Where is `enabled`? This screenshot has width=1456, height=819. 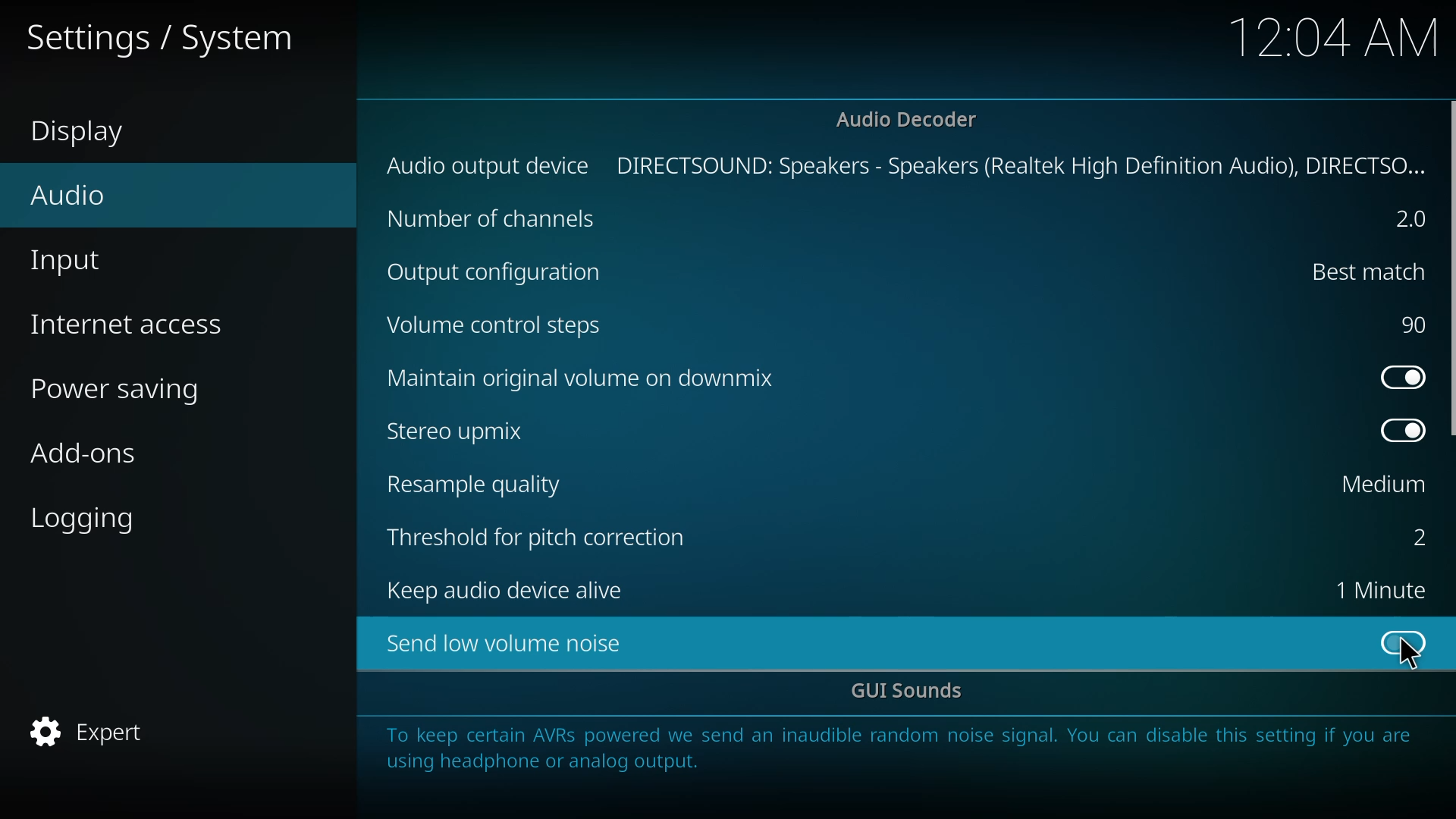
enabled is located at coordinates (1400, 375).